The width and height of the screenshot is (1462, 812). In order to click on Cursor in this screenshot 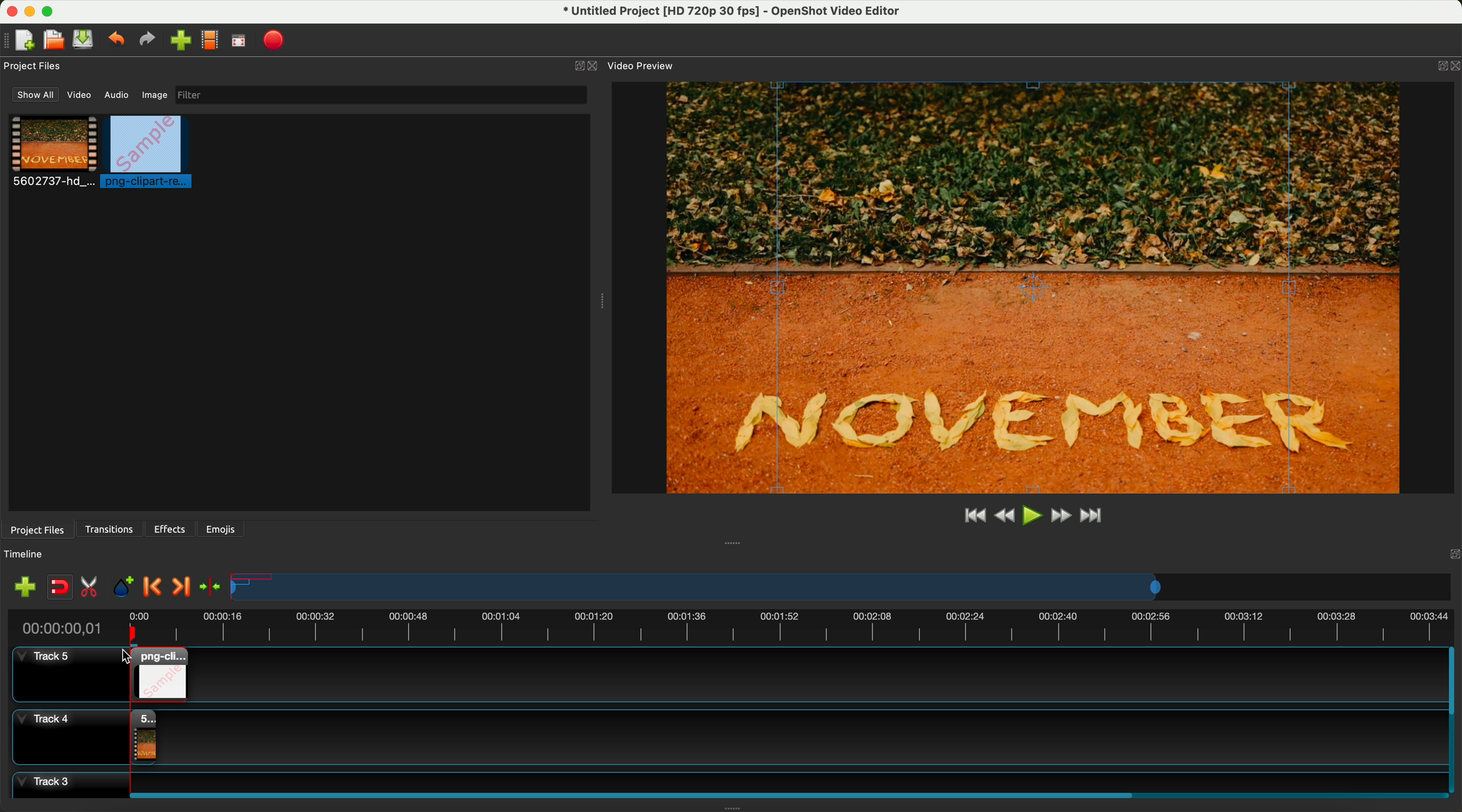, I will do `click(131, 663)`.